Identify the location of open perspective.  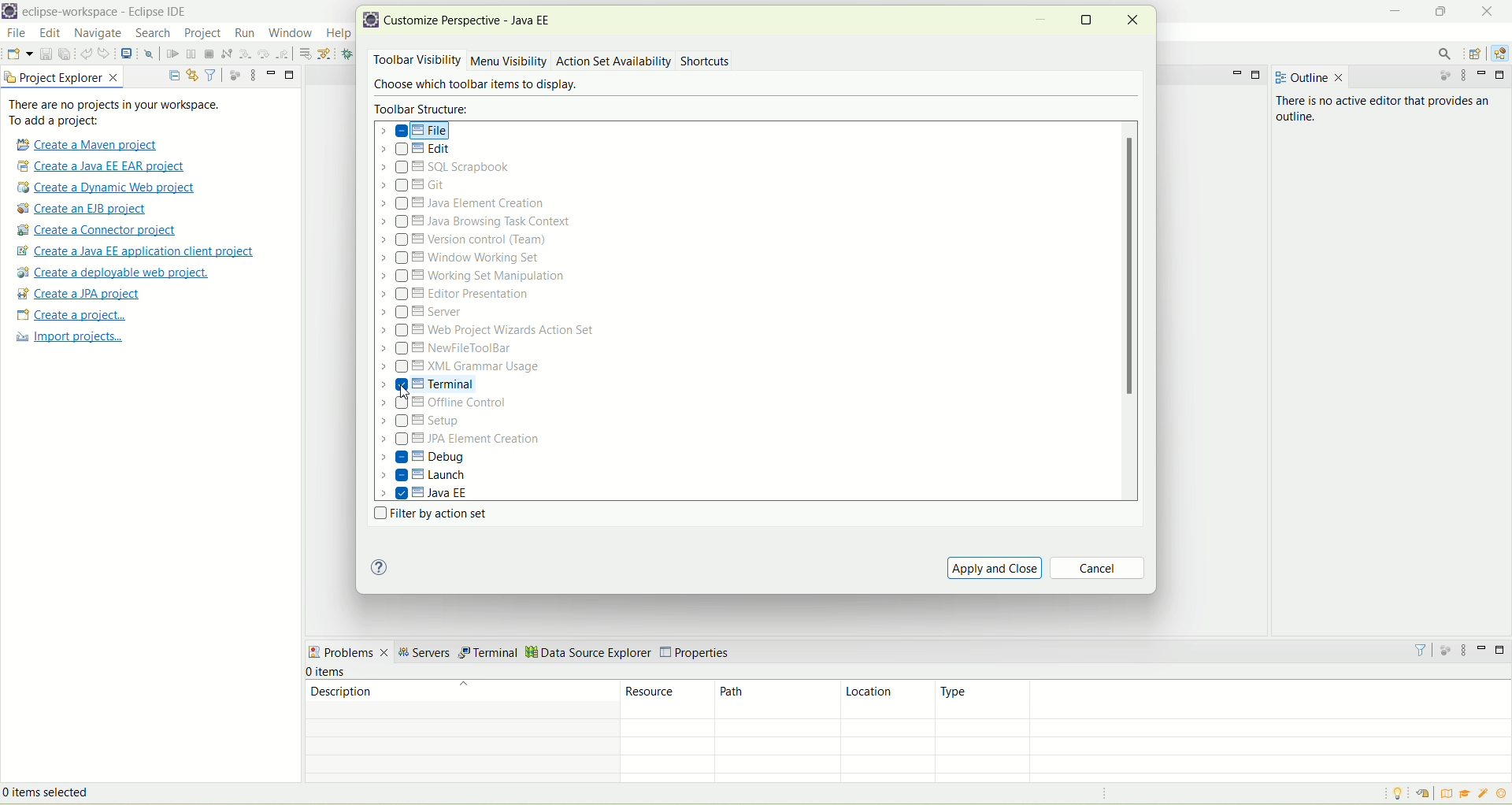
(1477, 53).